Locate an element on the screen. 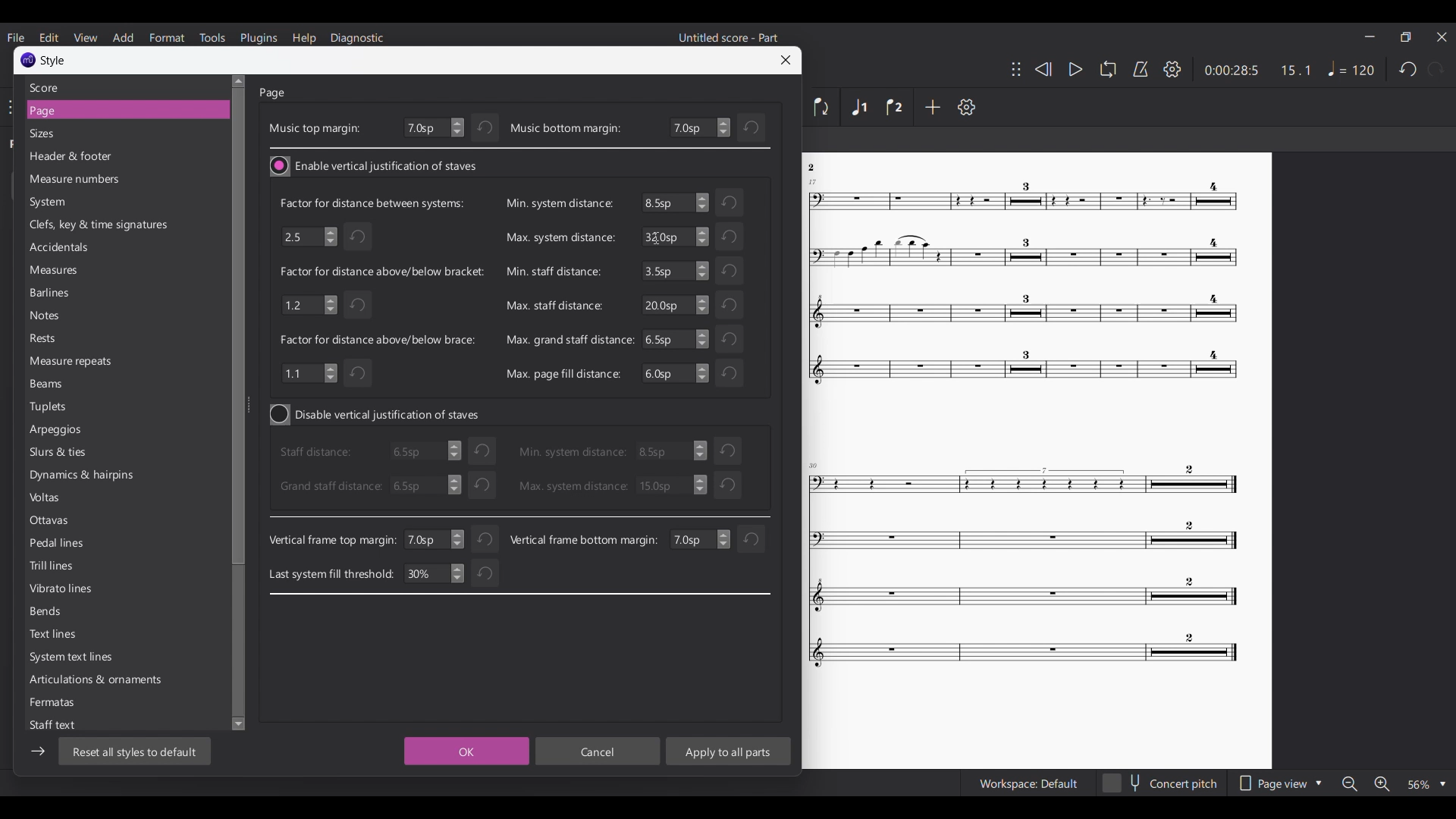 The image size is (1456, 819). Page view options is located at coordinates (1279, 783).